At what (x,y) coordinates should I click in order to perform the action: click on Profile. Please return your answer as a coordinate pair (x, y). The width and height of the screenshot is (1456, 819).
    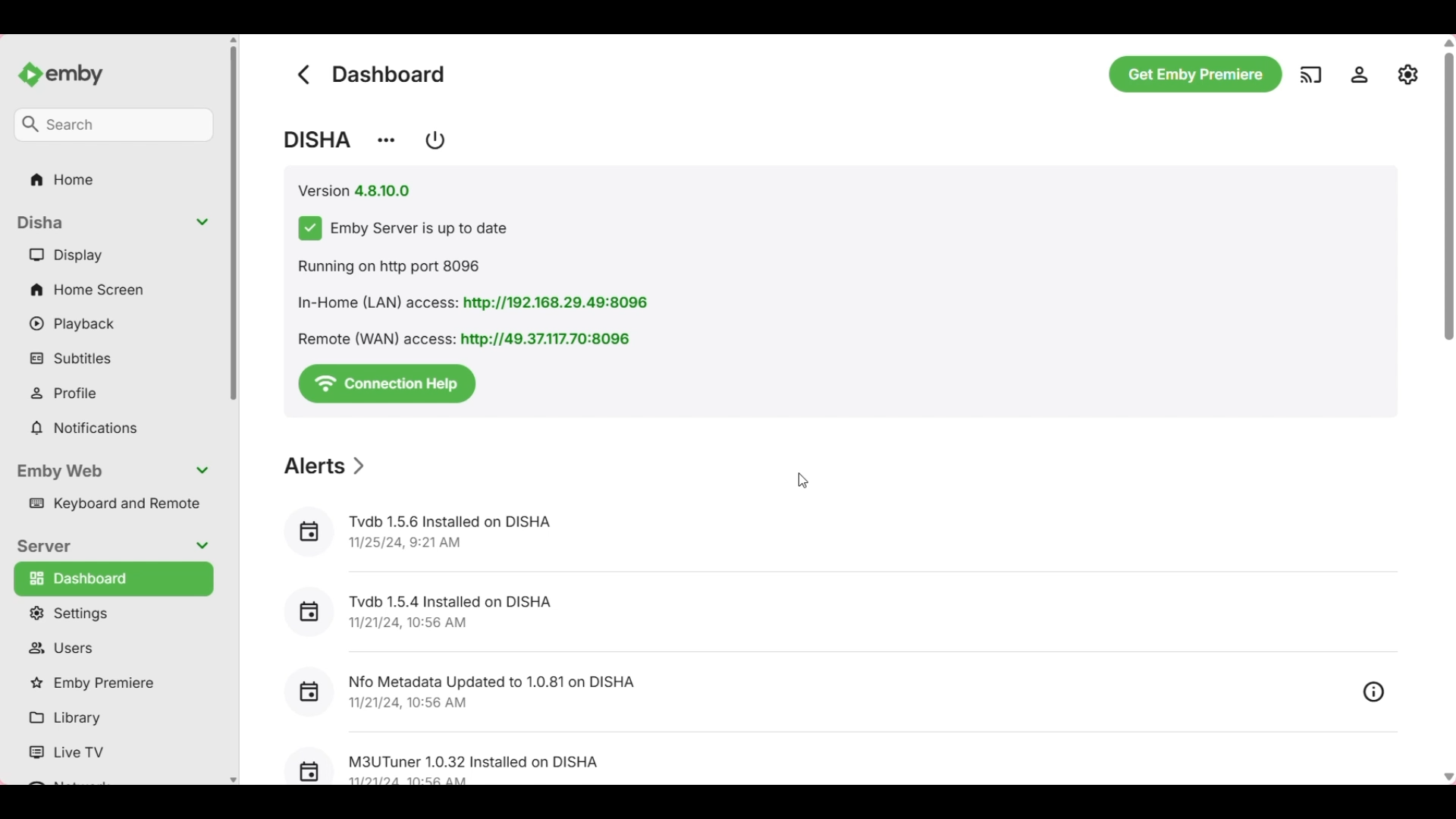
    Looking at the image, I should click on (115, 393).